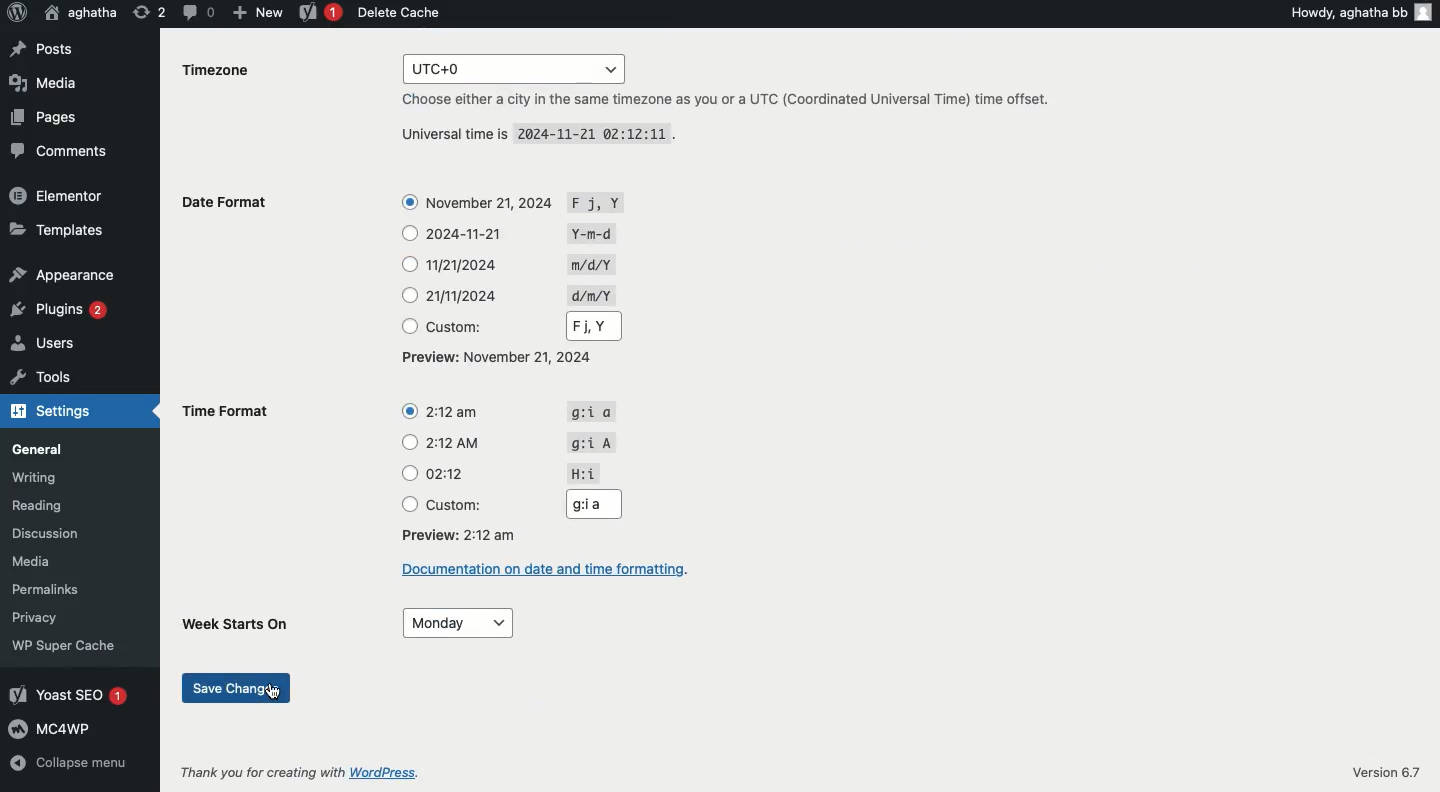 Image resolution: width=1440 pixels, height=792 pixels. Describe the element at coordinates (254, 12) in the screenshot. I see `New` at that location.